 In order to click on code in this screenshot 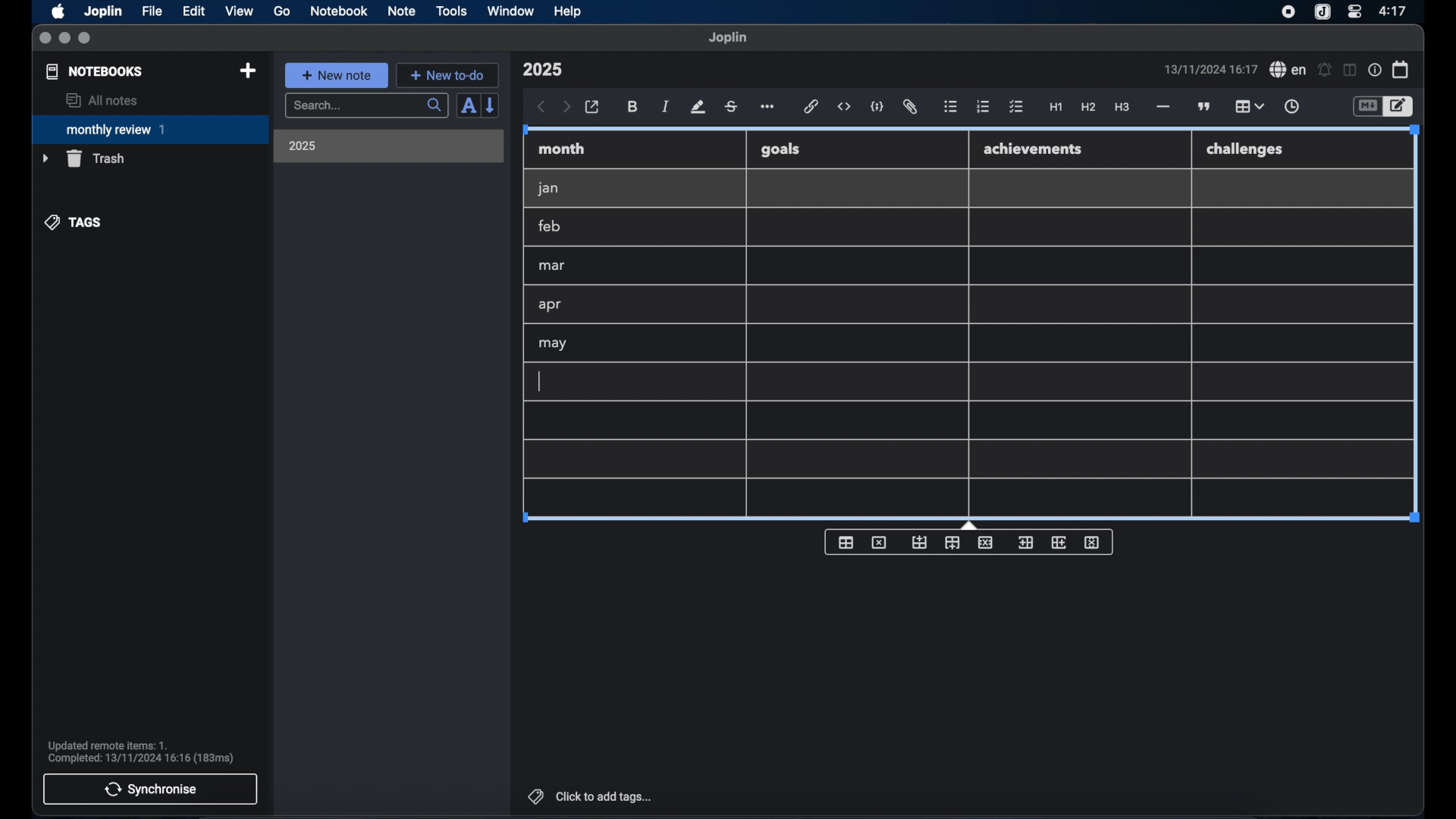, I will do `click(877, 108)`.